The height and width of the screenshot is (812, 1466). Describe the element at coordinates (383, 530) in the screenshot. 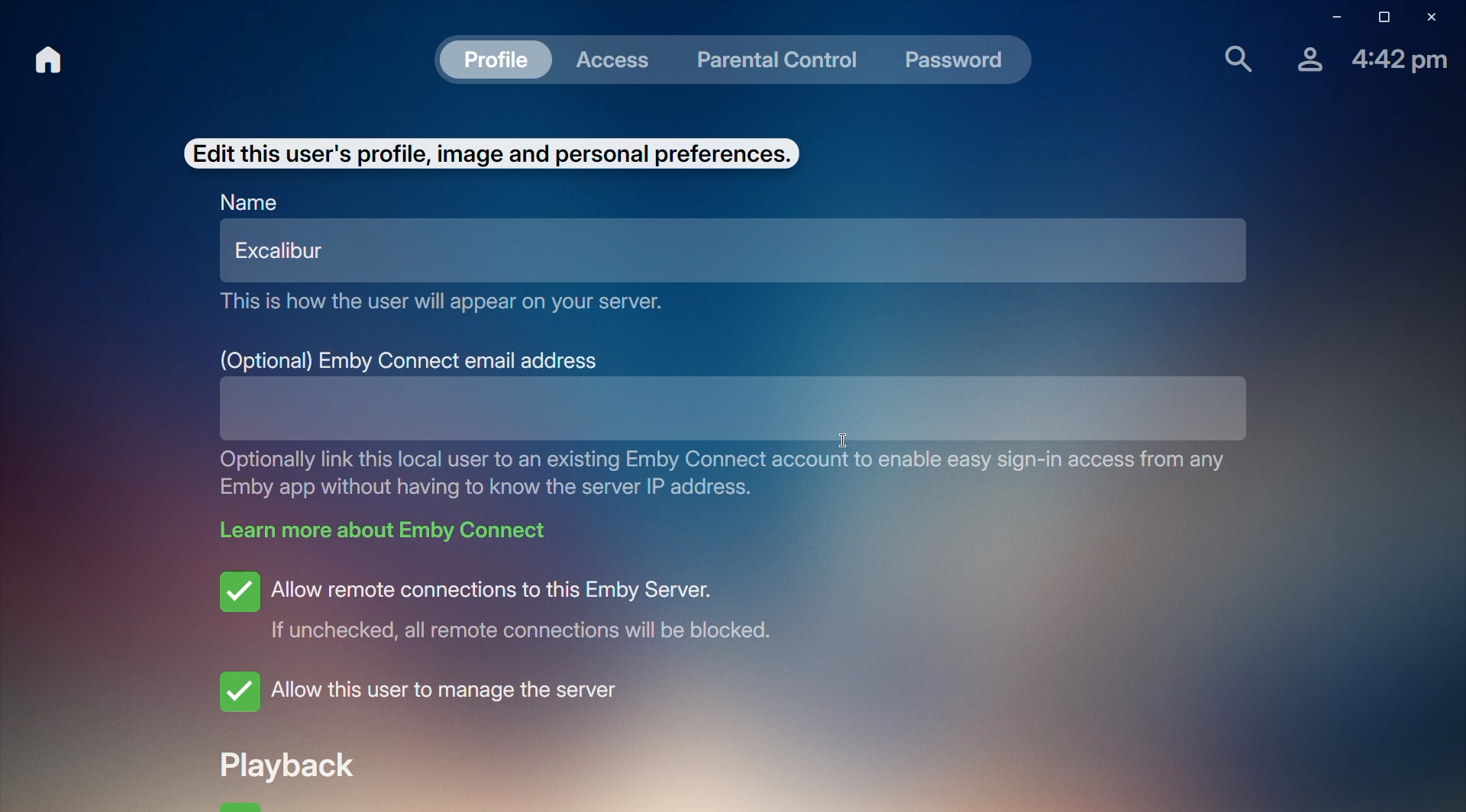

I see `Learn more about Emby Connect` at that location.